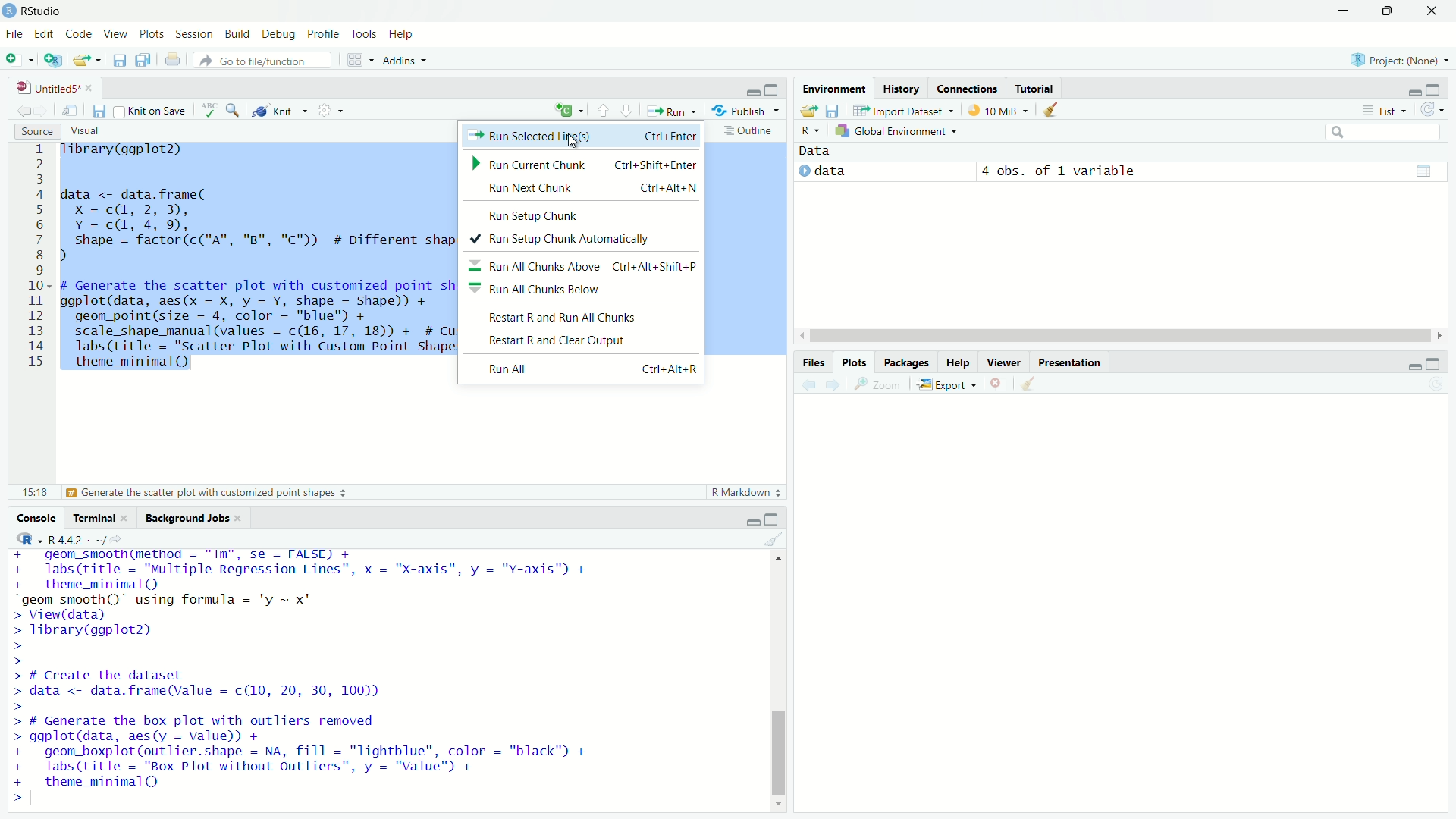 Image resolution: width=1456 pixels, height=819 pixels. Describe the element at coordinates (1413, 366) in the screenshot. I see `minimize` at that location.